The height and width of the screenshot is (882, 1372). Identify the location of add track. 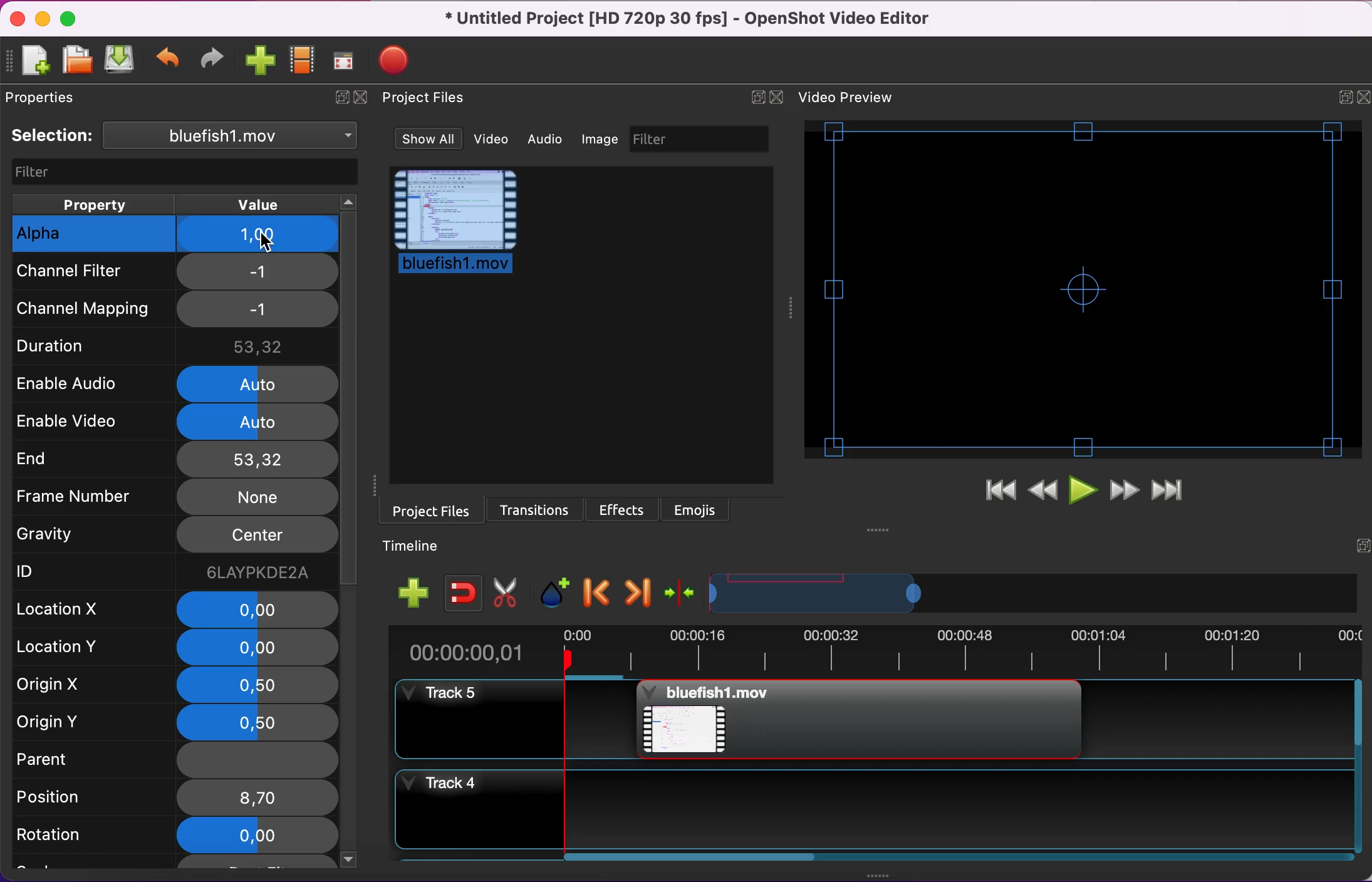
(418, 594).